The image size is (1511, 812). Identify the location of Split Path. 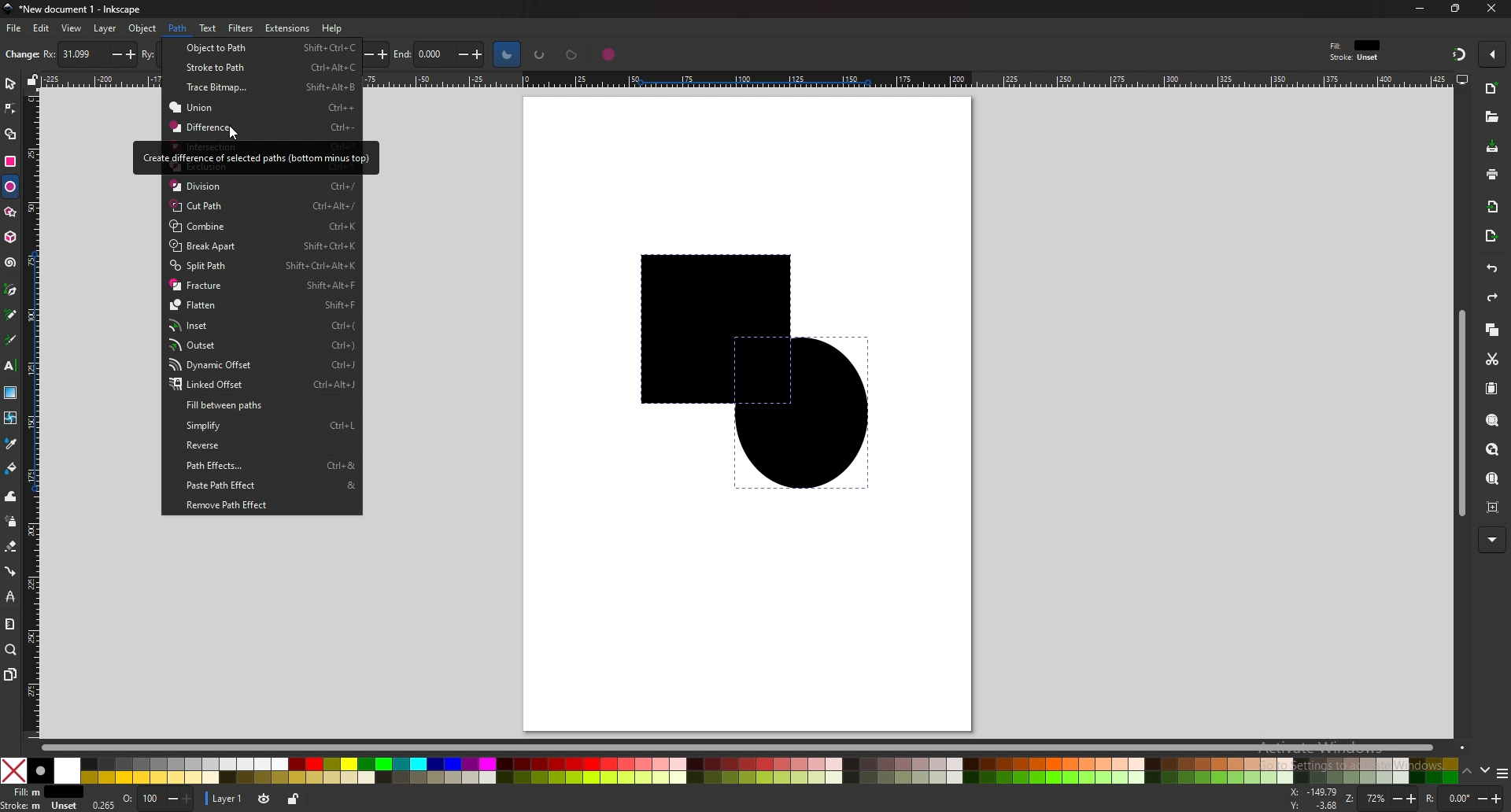
(264, 266).